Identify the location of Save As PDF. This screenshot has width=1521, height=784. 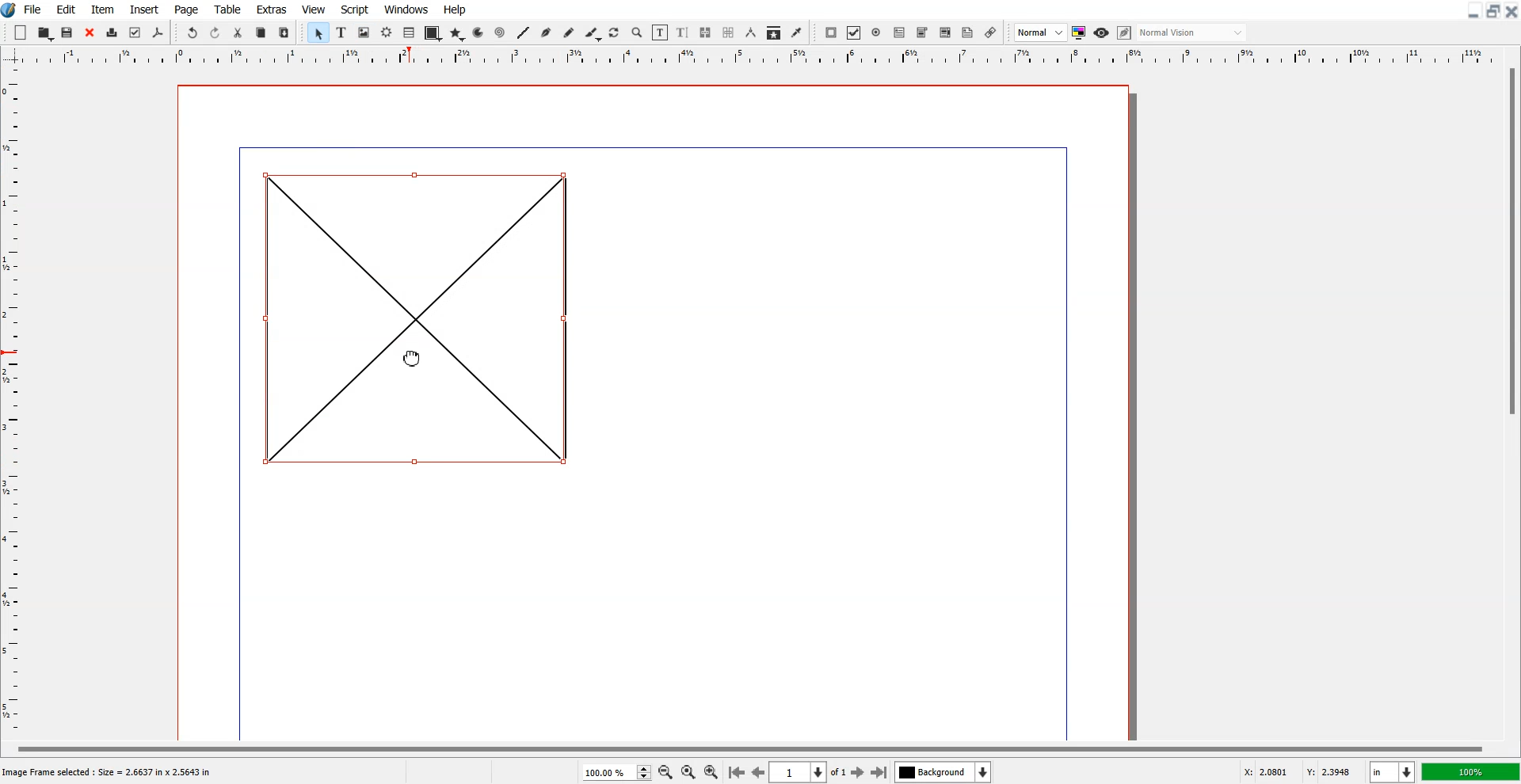
(158, 33).